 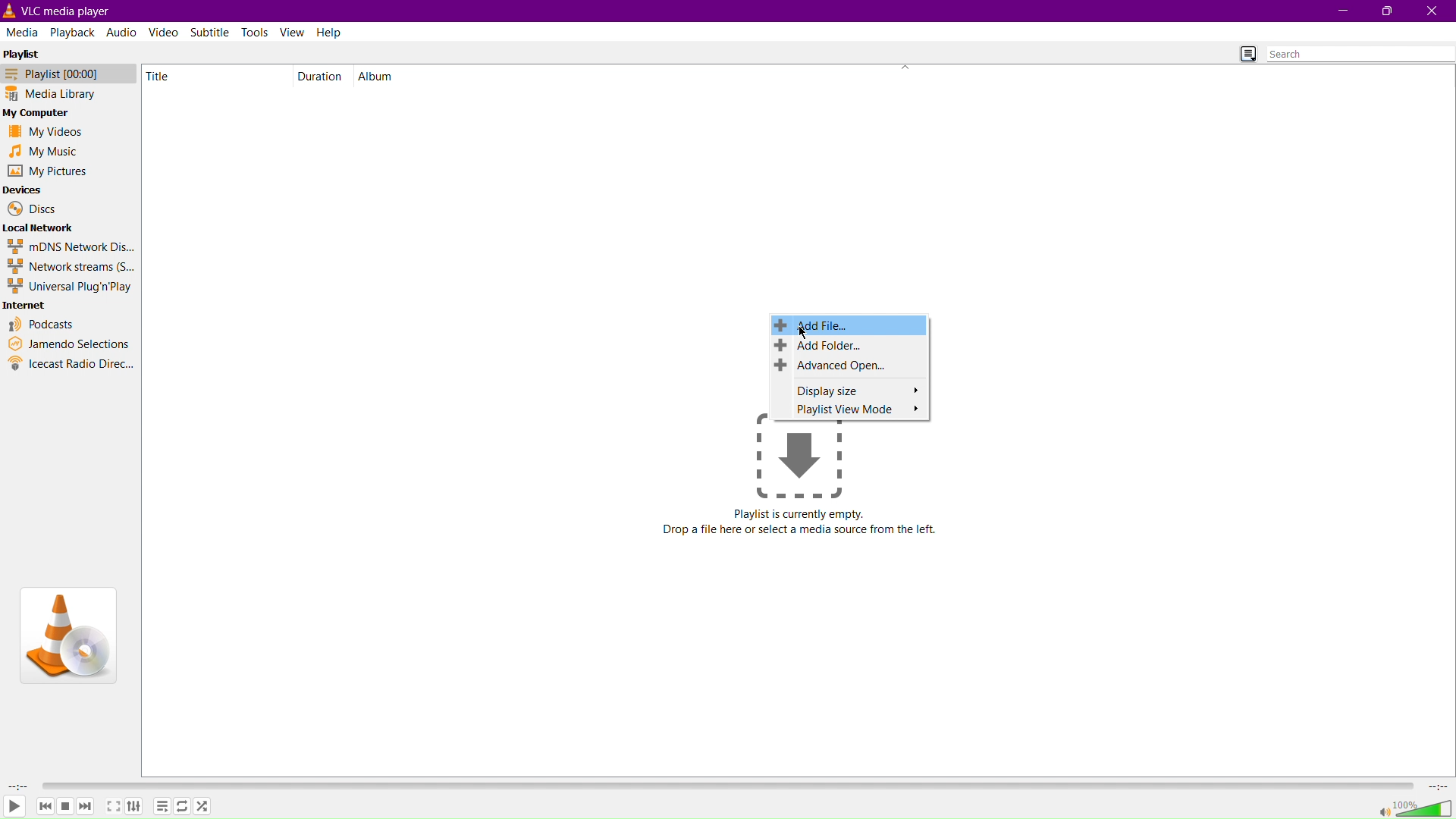 What do you see at coordinates (112, 808) in the screenshot?
I see `Fullscreen` at bounding box center [112, 808].